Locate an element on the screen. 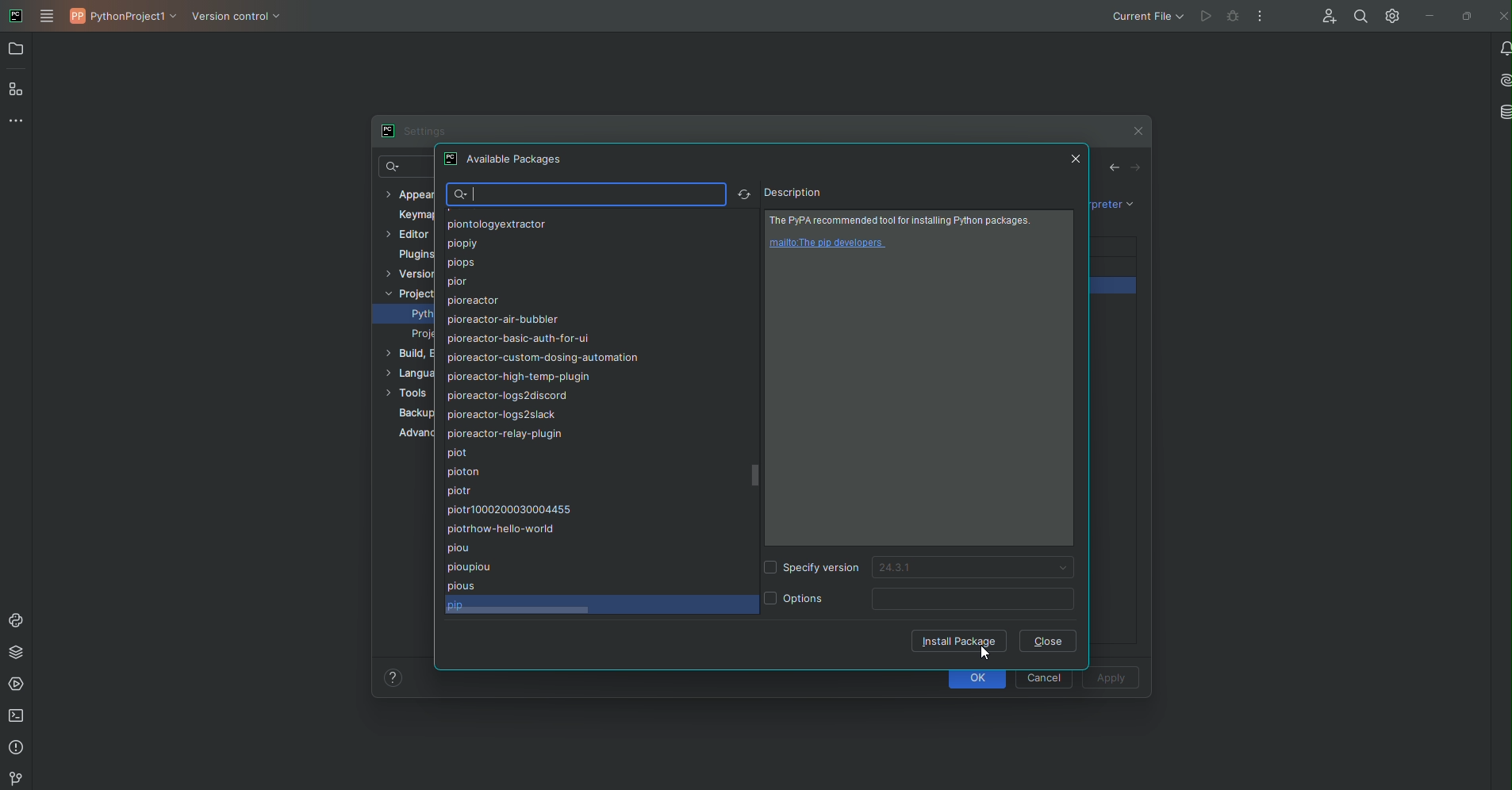 This screenshot has width=1512, height=790. Version Control is located at coordinates (409, 272).